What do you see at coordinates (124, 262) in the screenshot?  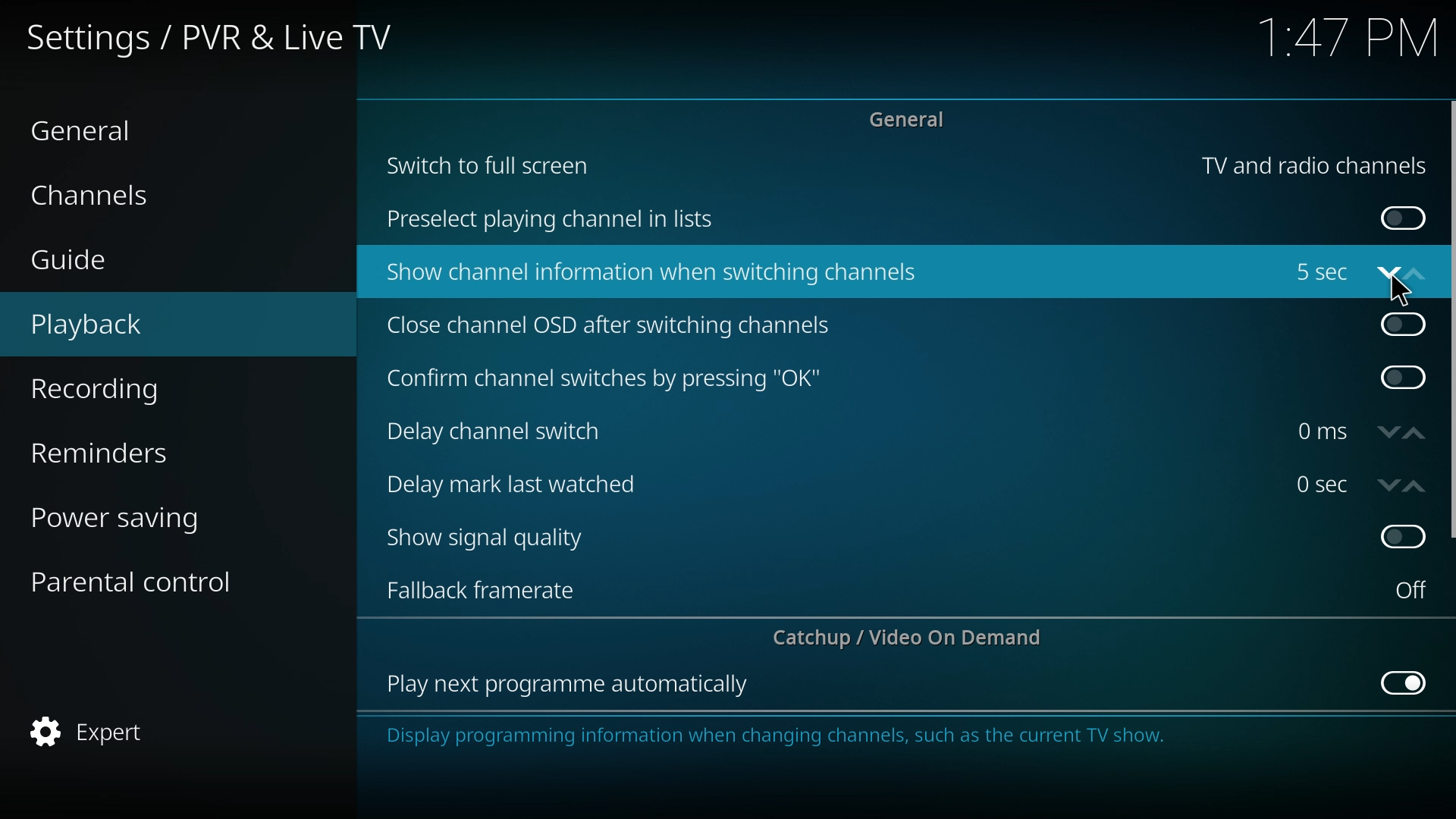 I see `guide` at bounding box center [124, 262].